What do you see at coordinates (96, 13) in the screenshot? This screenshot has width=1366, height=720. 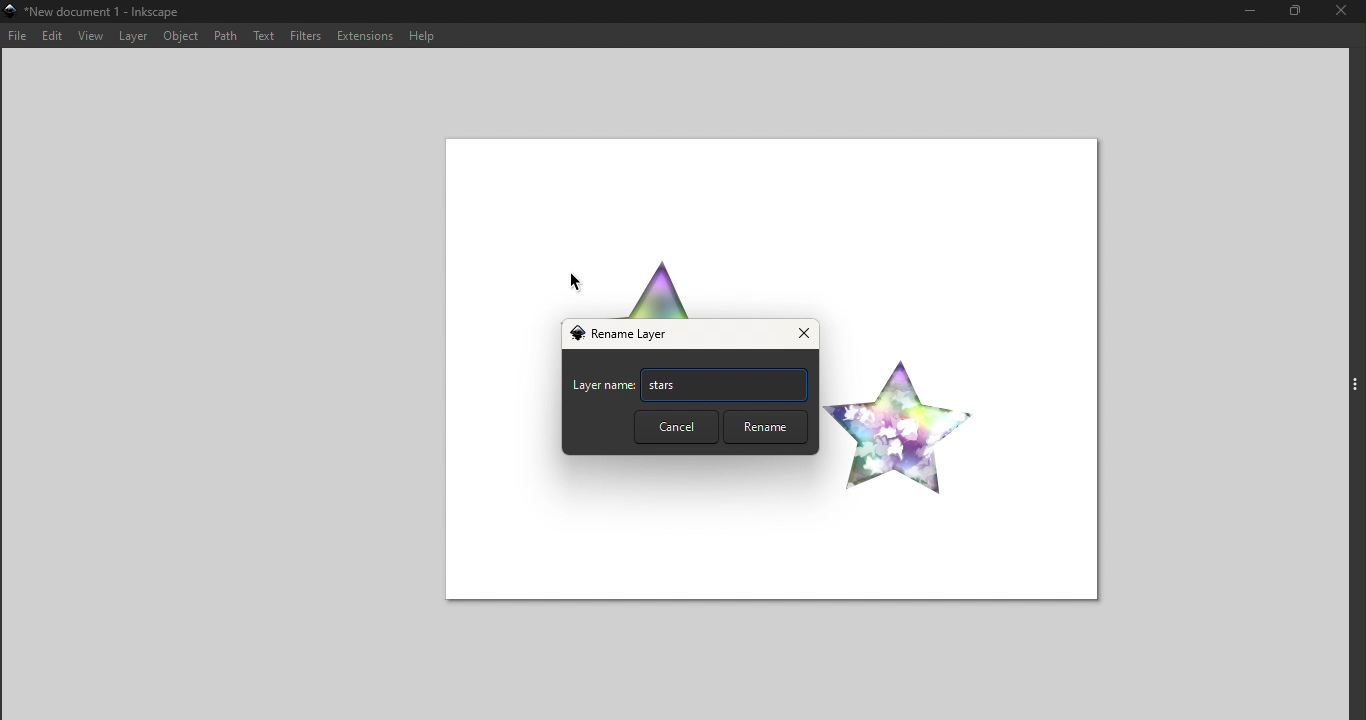 I see `New document 1 - Inkscape` at bounding box center [96, 13].